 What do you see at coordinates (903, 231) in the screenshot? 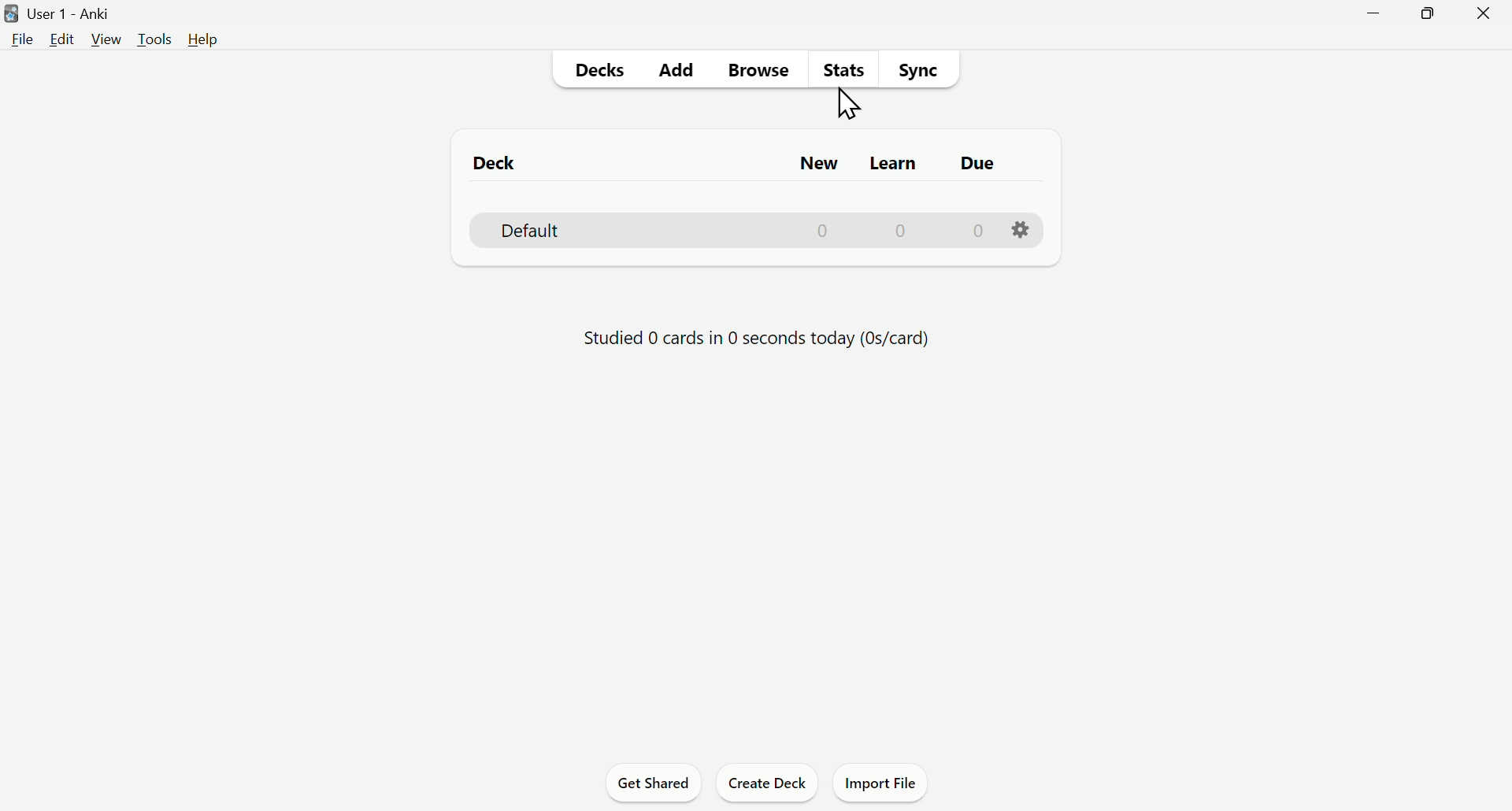
I see `0` at bounding box center [903, 231].